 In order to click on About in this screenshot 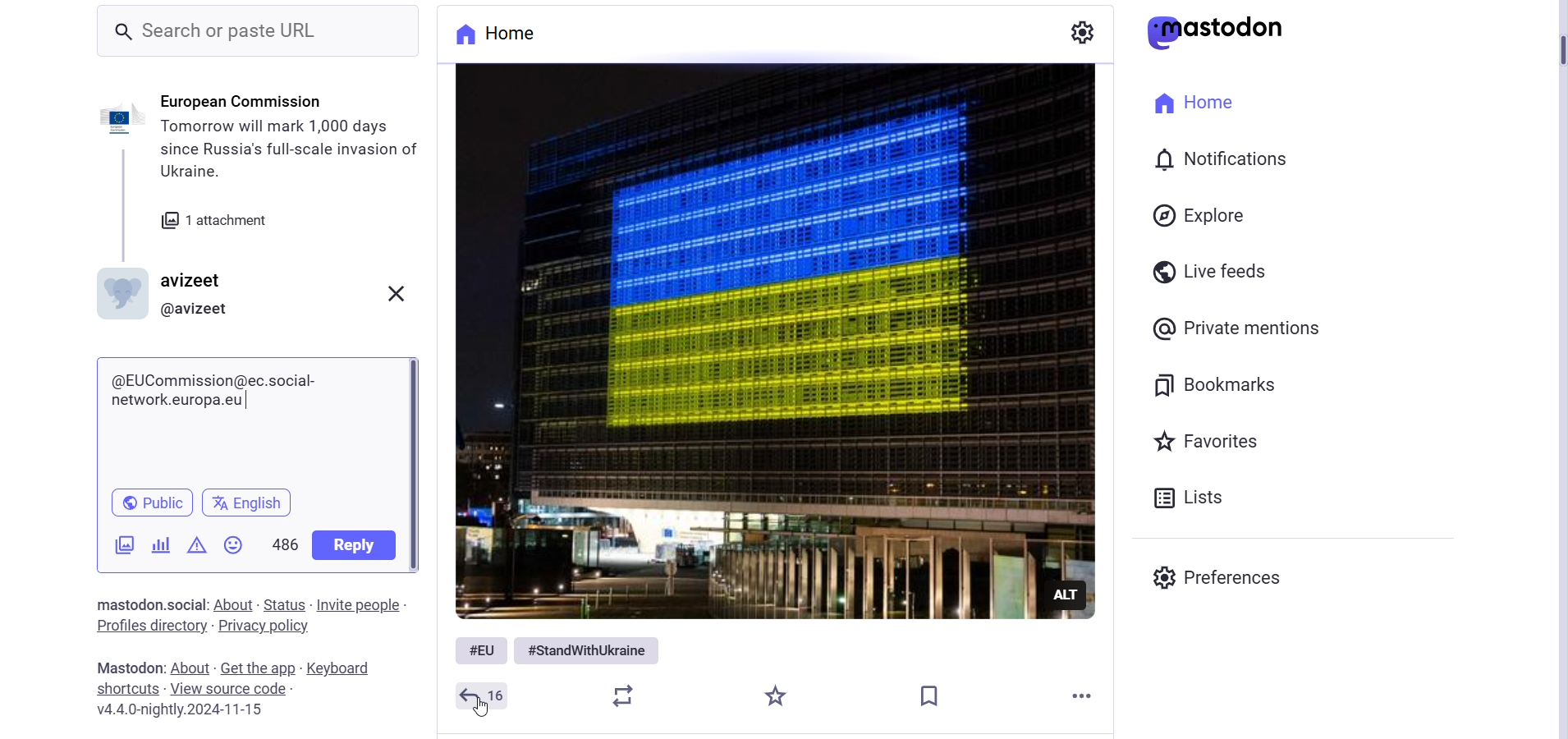, I will do `click(193, 668)`.